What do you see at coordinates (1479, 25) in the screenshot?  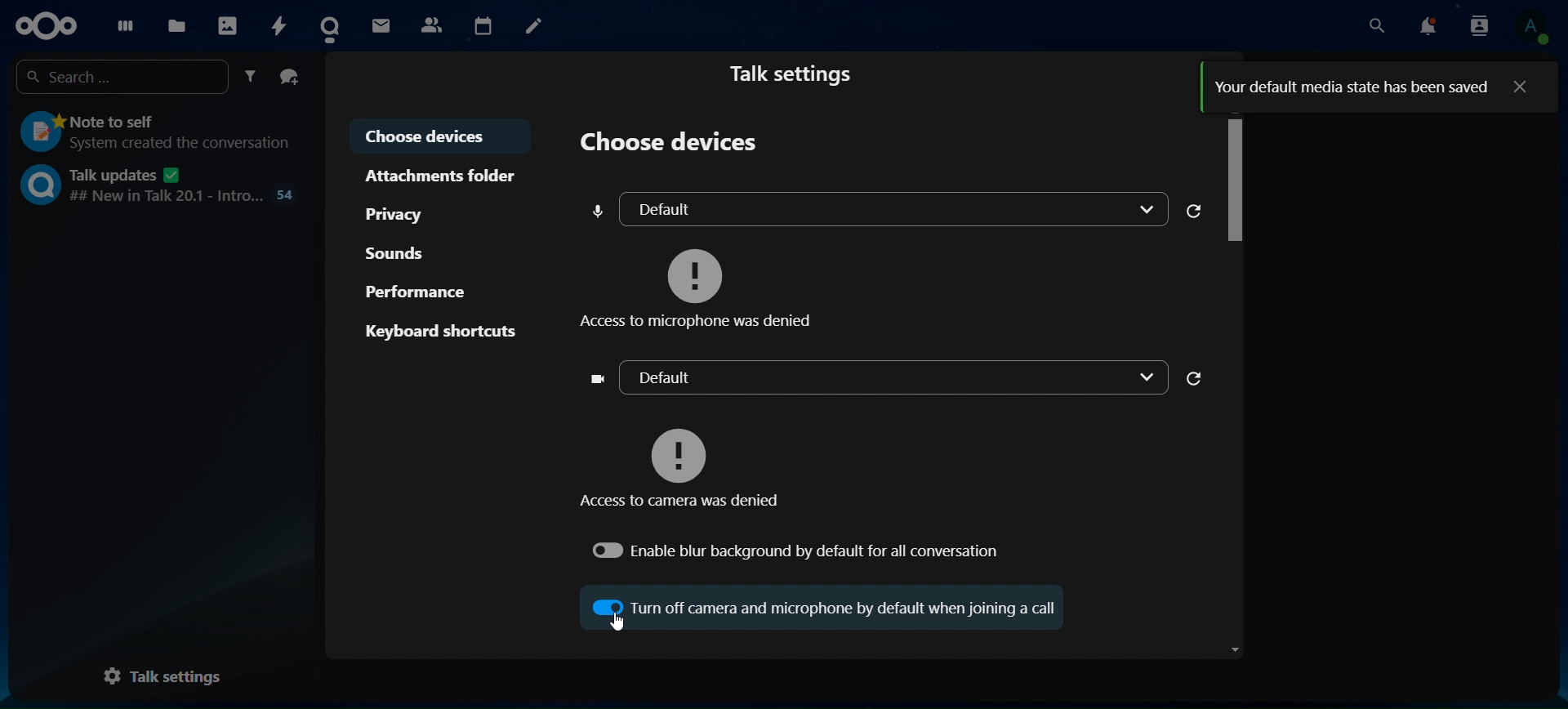 I see `search contacts` at bounding box center [1479, 25].